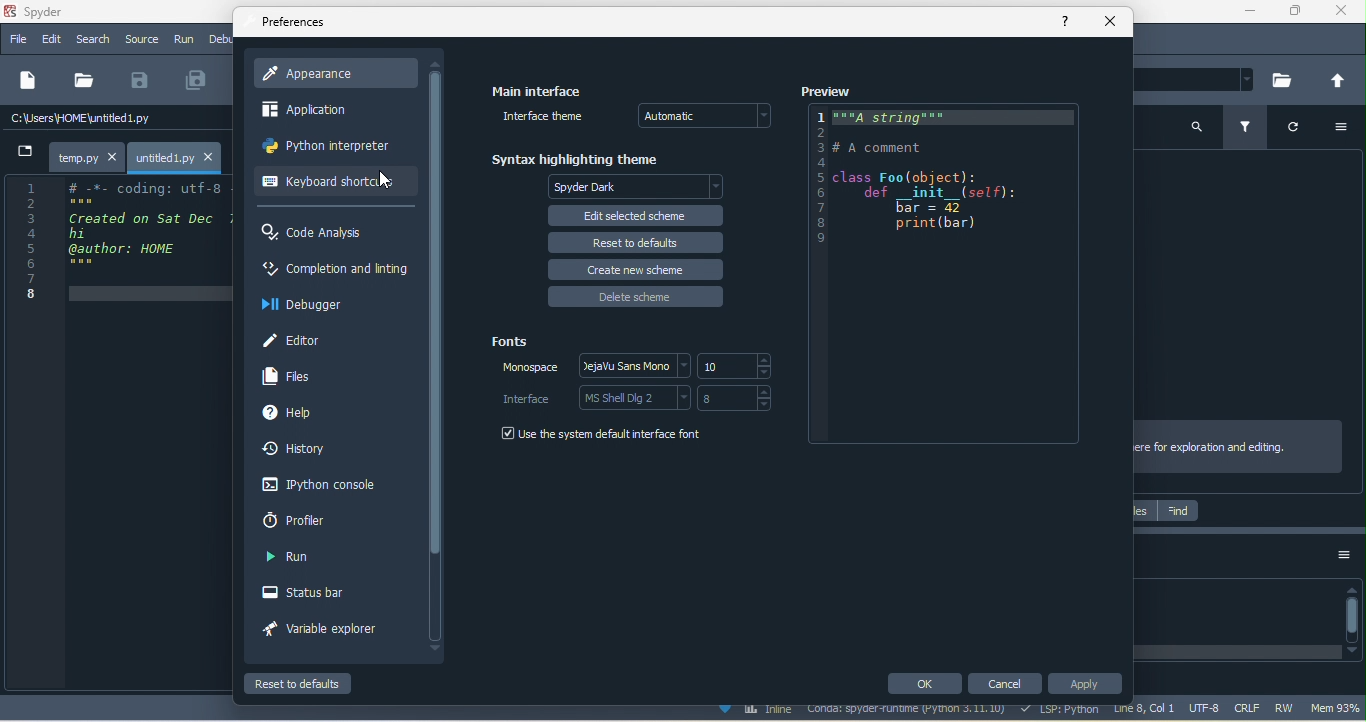 Image resolution: width=1366 pixels, height=722 pixels. Describe the element at coordinates (1343, 561) in the screenshot. I see `option` at that location.